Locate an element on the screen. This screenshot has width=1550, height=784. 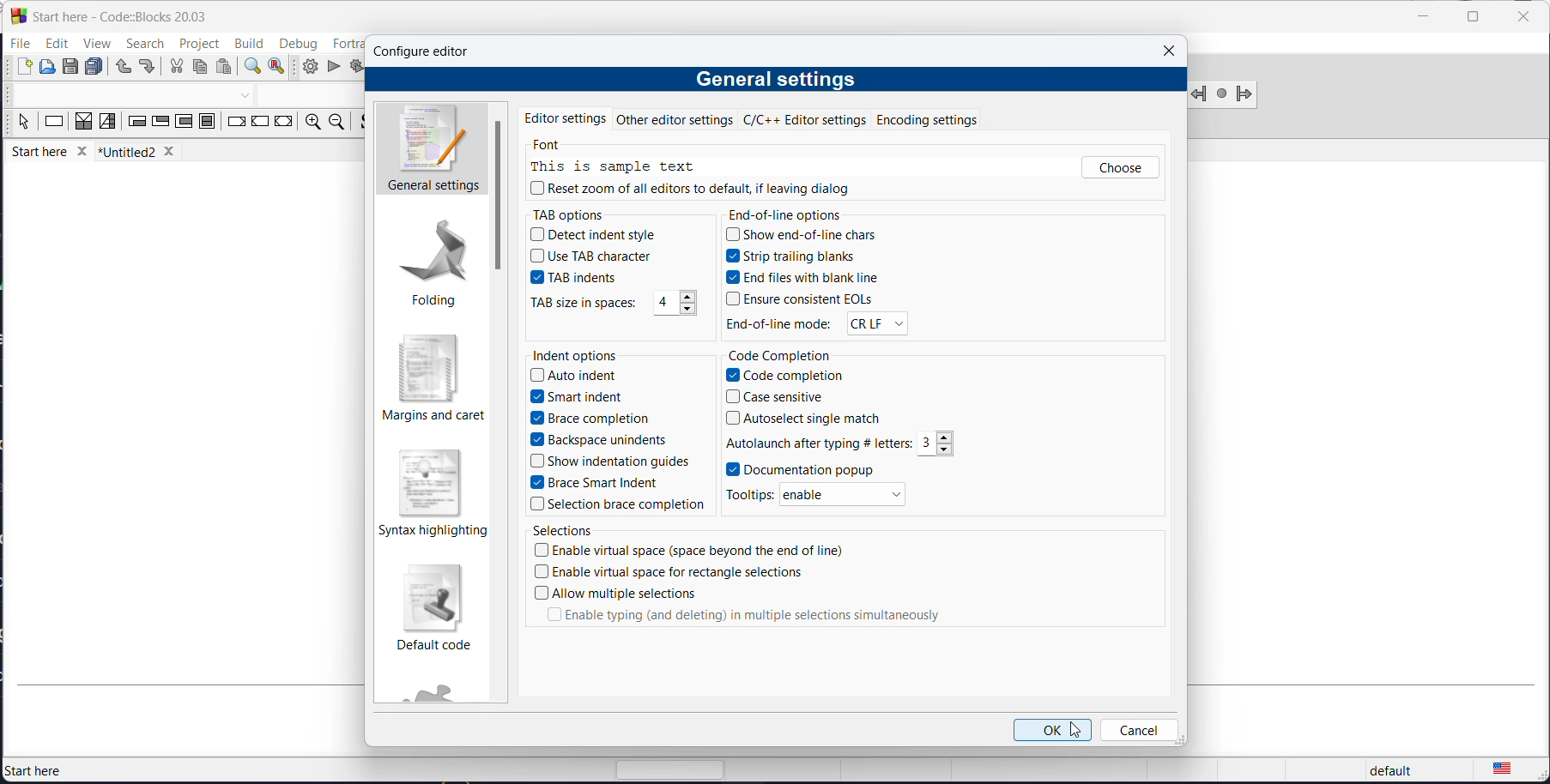
zoom in is located at coordinates (311, 124).